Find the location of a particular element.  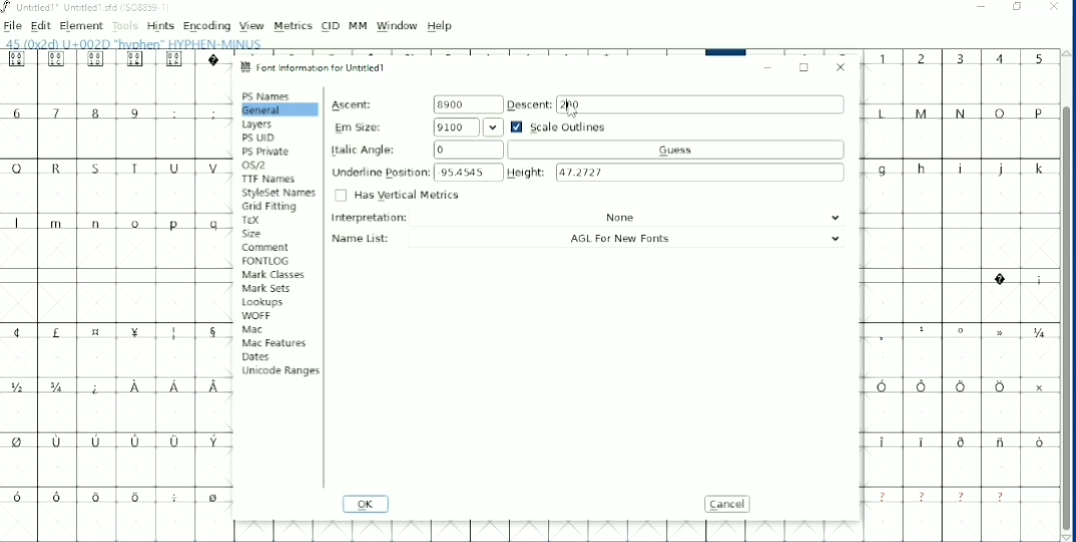

CID is located at coordinates (331, 26).